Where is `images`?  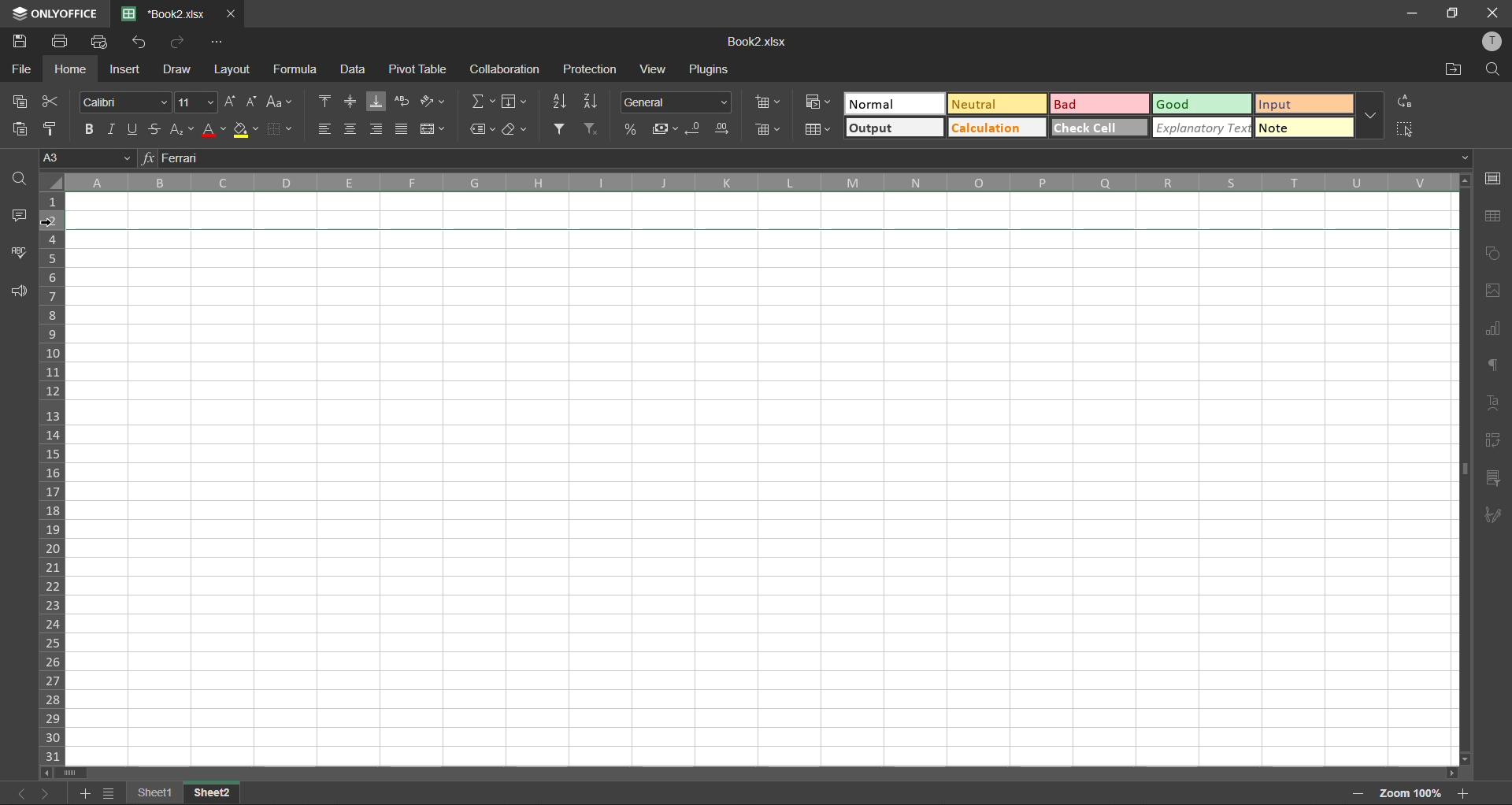
images is located at coordinates (1488, 291).